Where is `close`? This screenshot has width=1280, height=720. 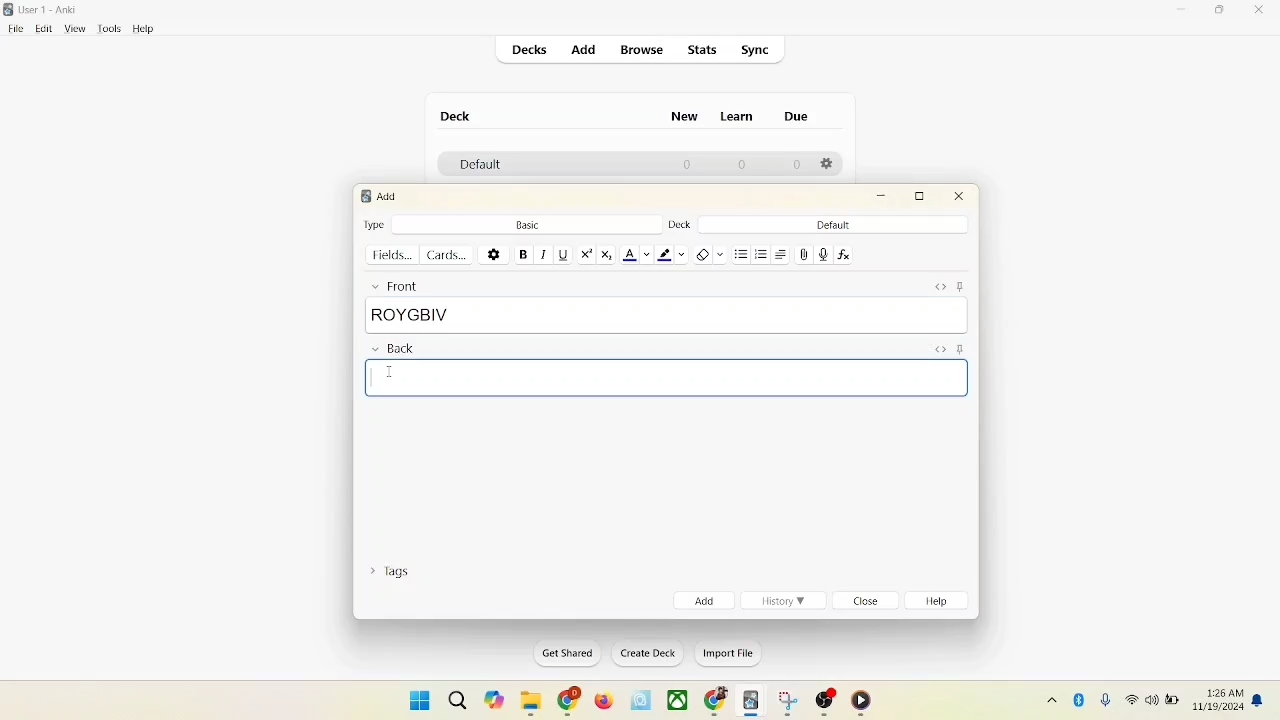
close is located at coordinates (1260, 11).